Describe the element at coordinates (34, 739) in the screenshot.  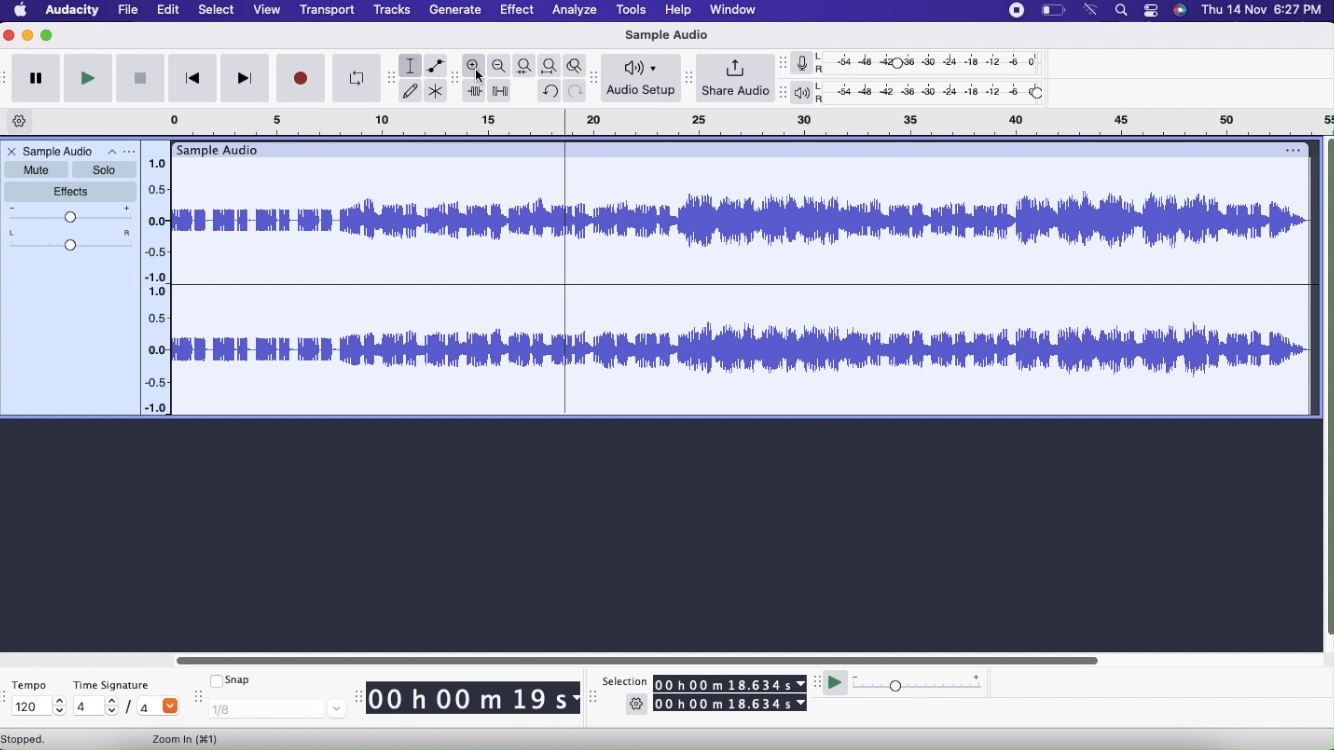
I see `stopped` at that location.